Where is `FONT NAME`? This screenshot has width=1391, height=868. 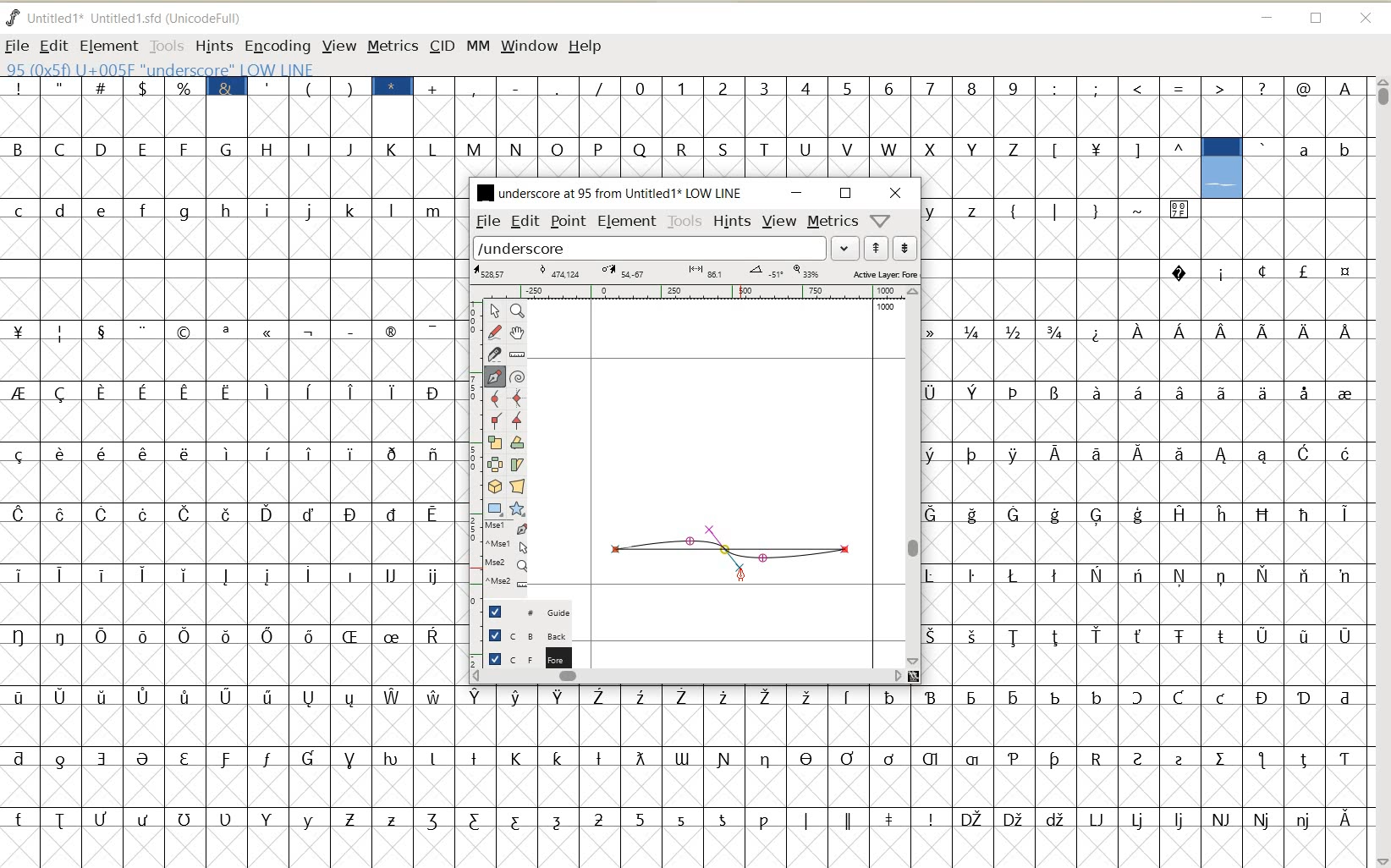 FONT NAME is located at coordinates (608, 192).